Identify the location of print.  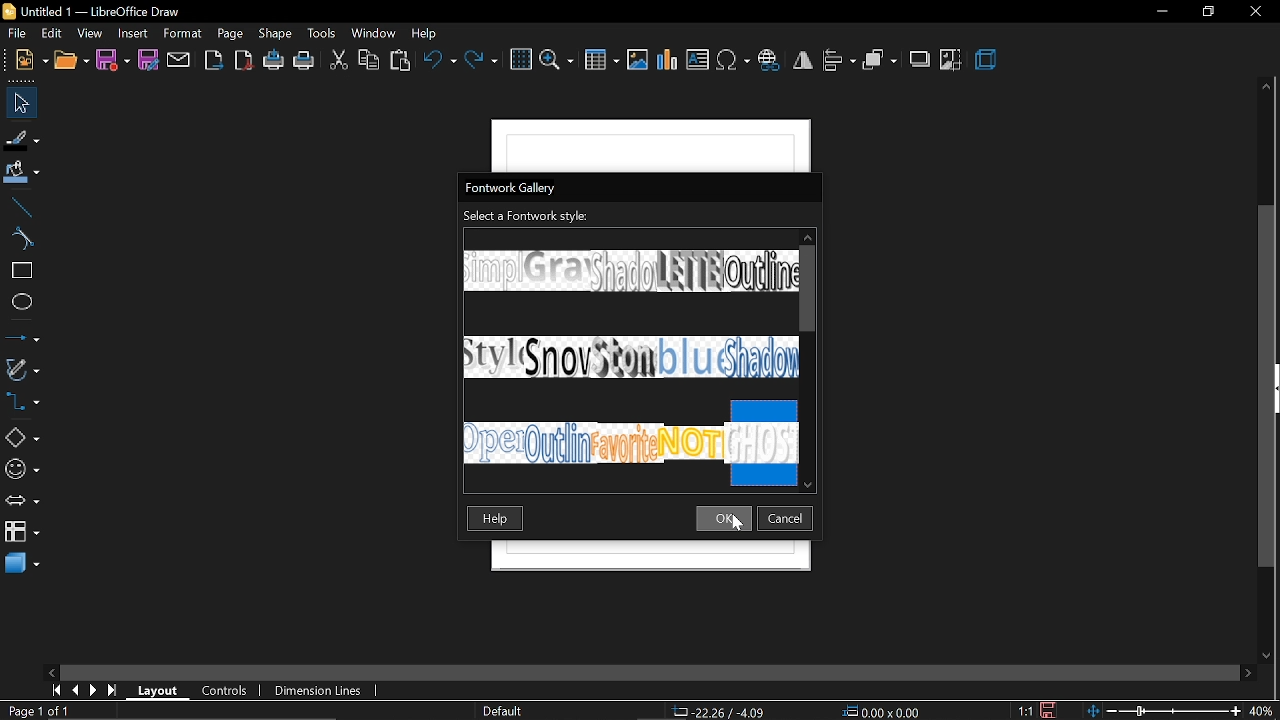
(304, 60).